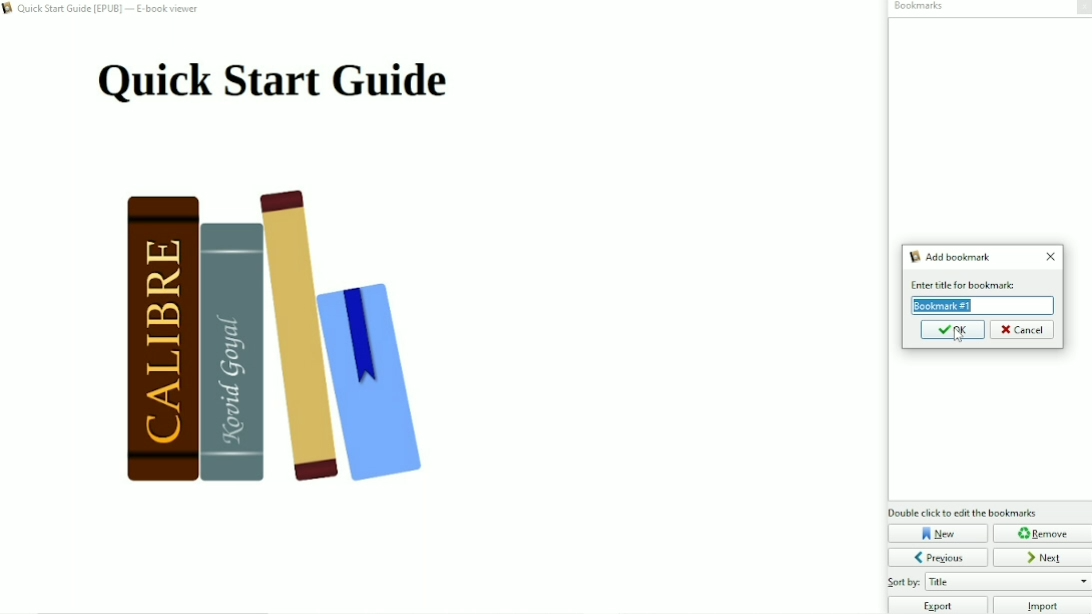 This screenshot has height=614, width=1092. I want to click on OK, so click(953, 330).